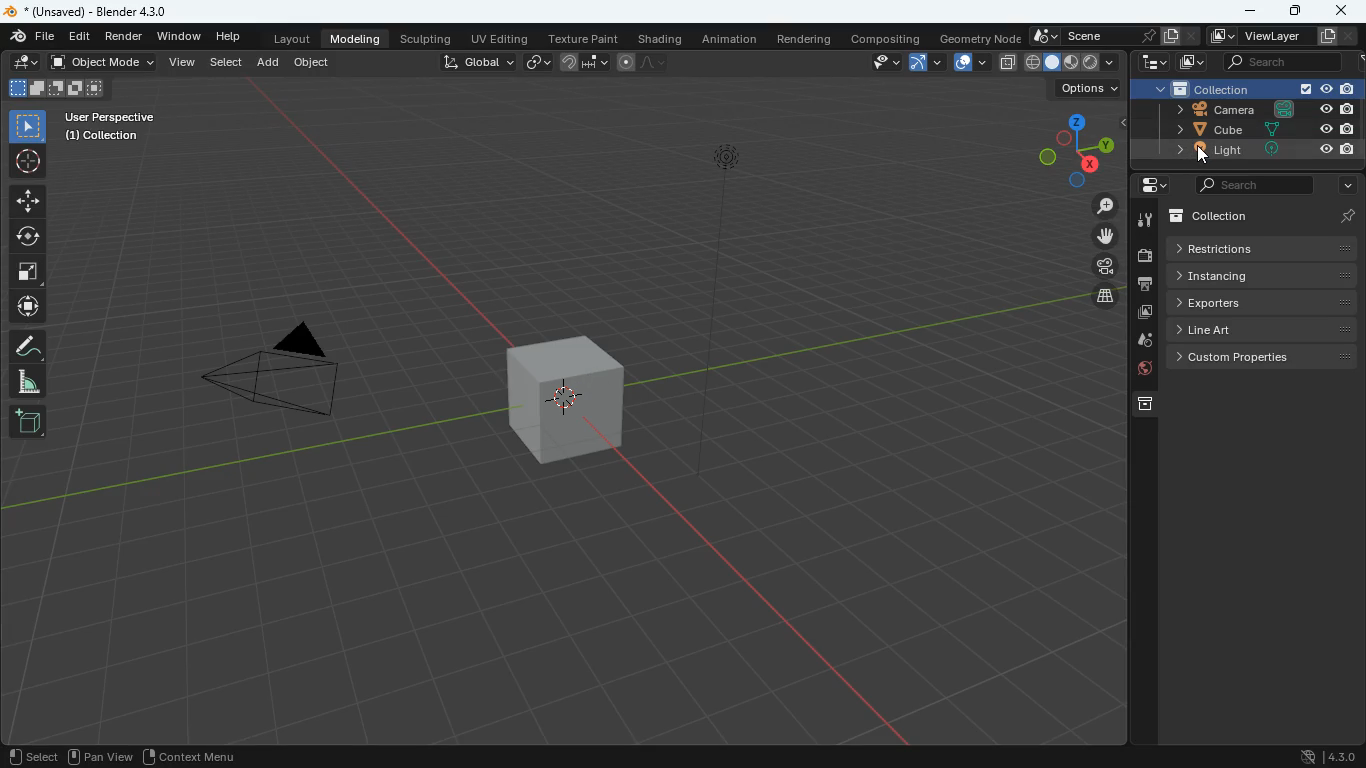 The height and width of the screenshot is (768, 1366). Describe the element at coordinates (1340, 9) in the screenshot. I see `close` at that location.